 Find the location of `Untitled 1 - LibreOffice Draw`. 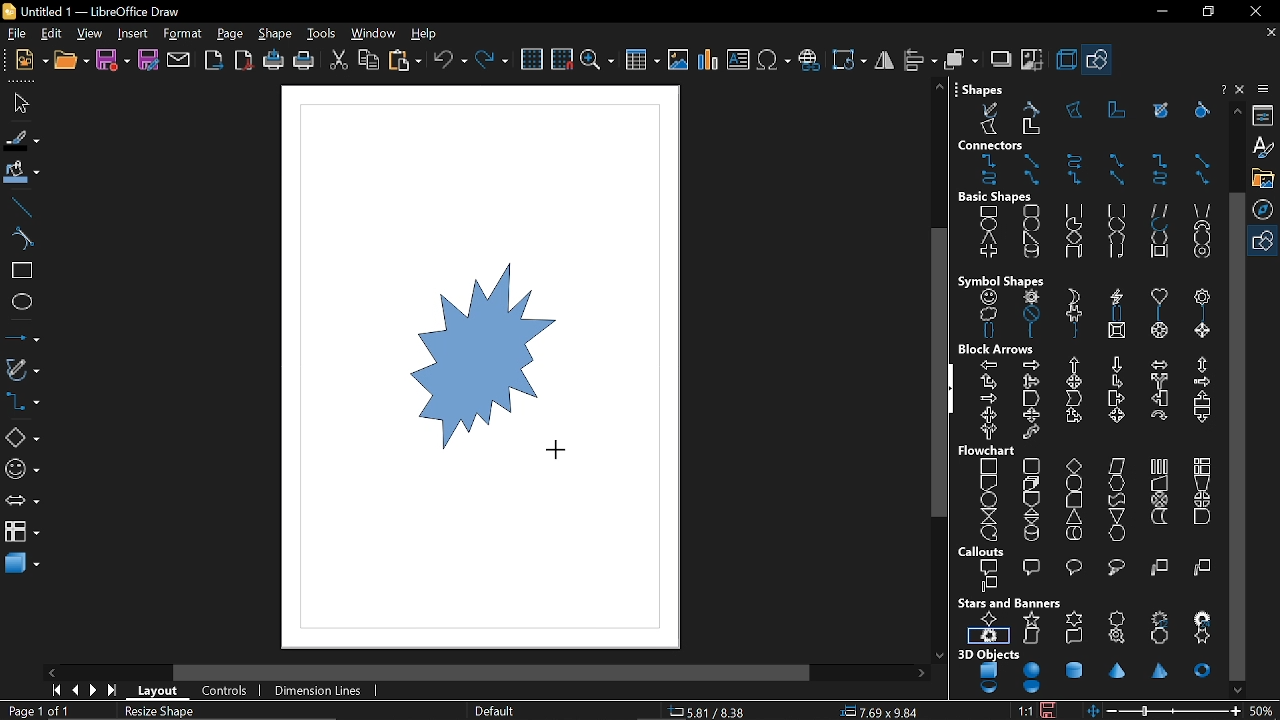

Untitled 1 - LibreOffice Draw is located at coordinates (95, 10).